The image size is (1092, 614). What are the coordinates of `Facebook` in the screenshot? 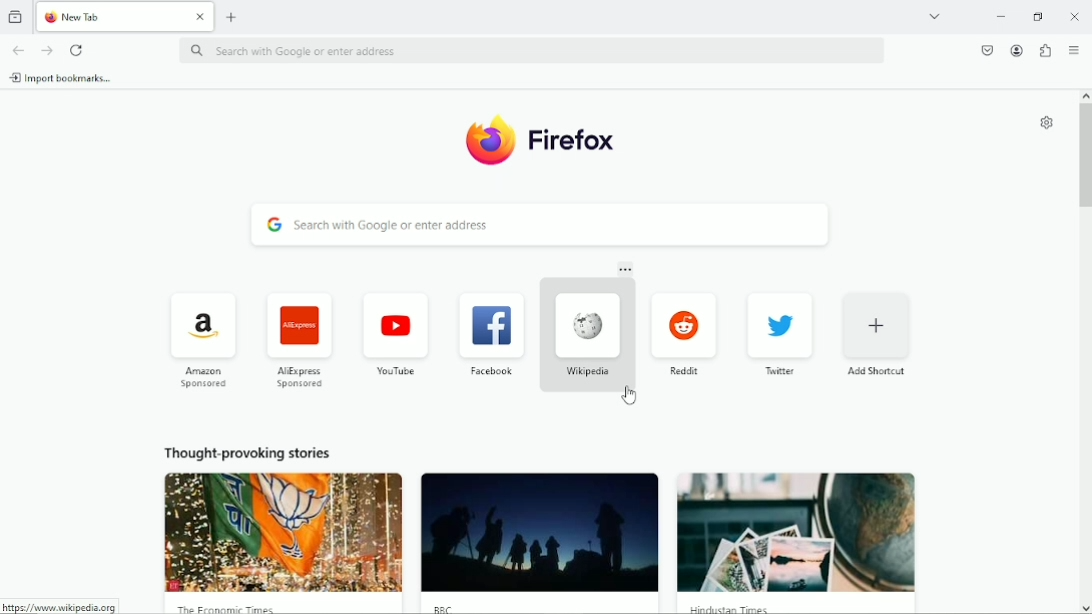 It's located at (491, 331).